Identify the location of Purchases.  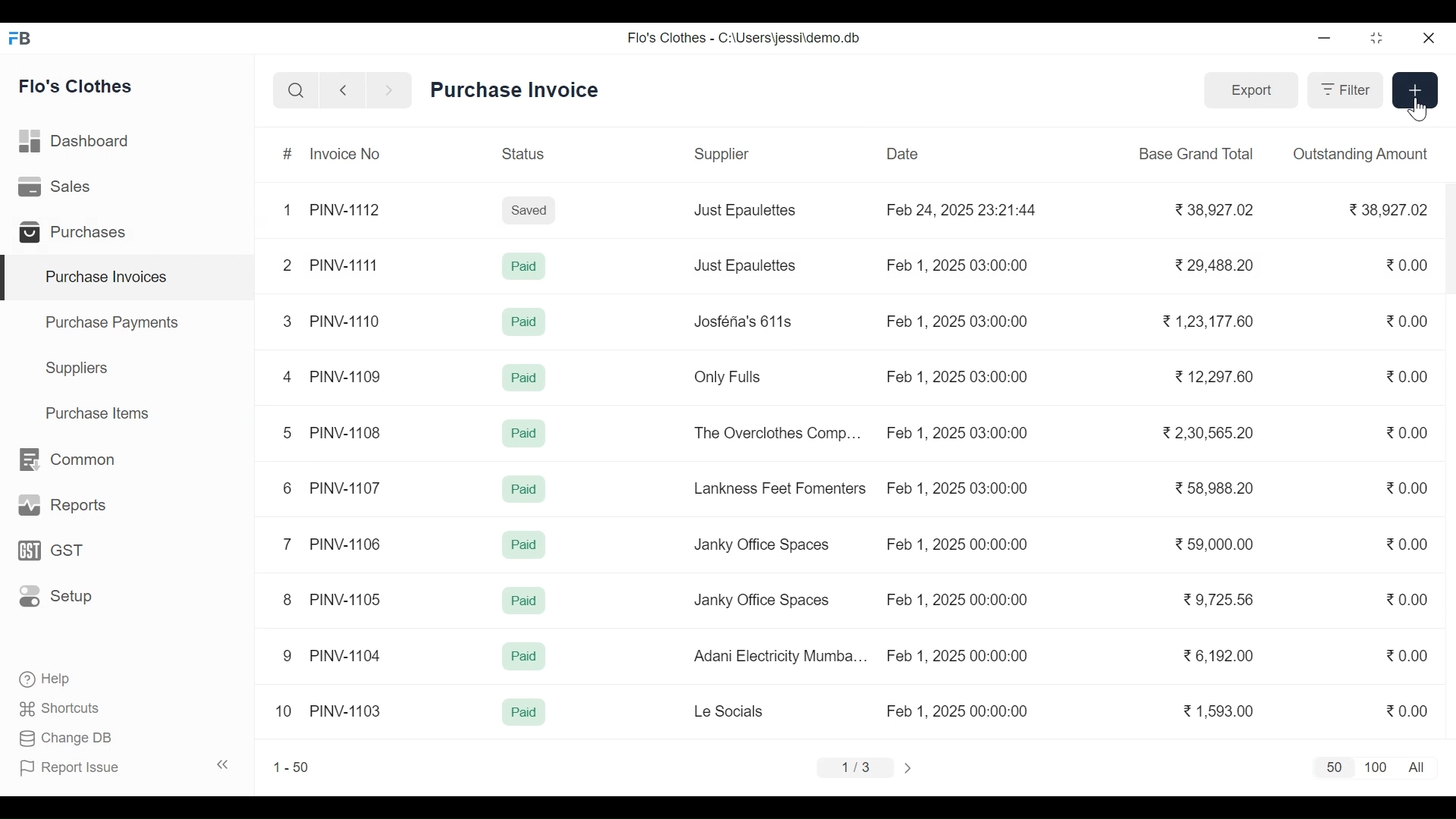
(77, 233).